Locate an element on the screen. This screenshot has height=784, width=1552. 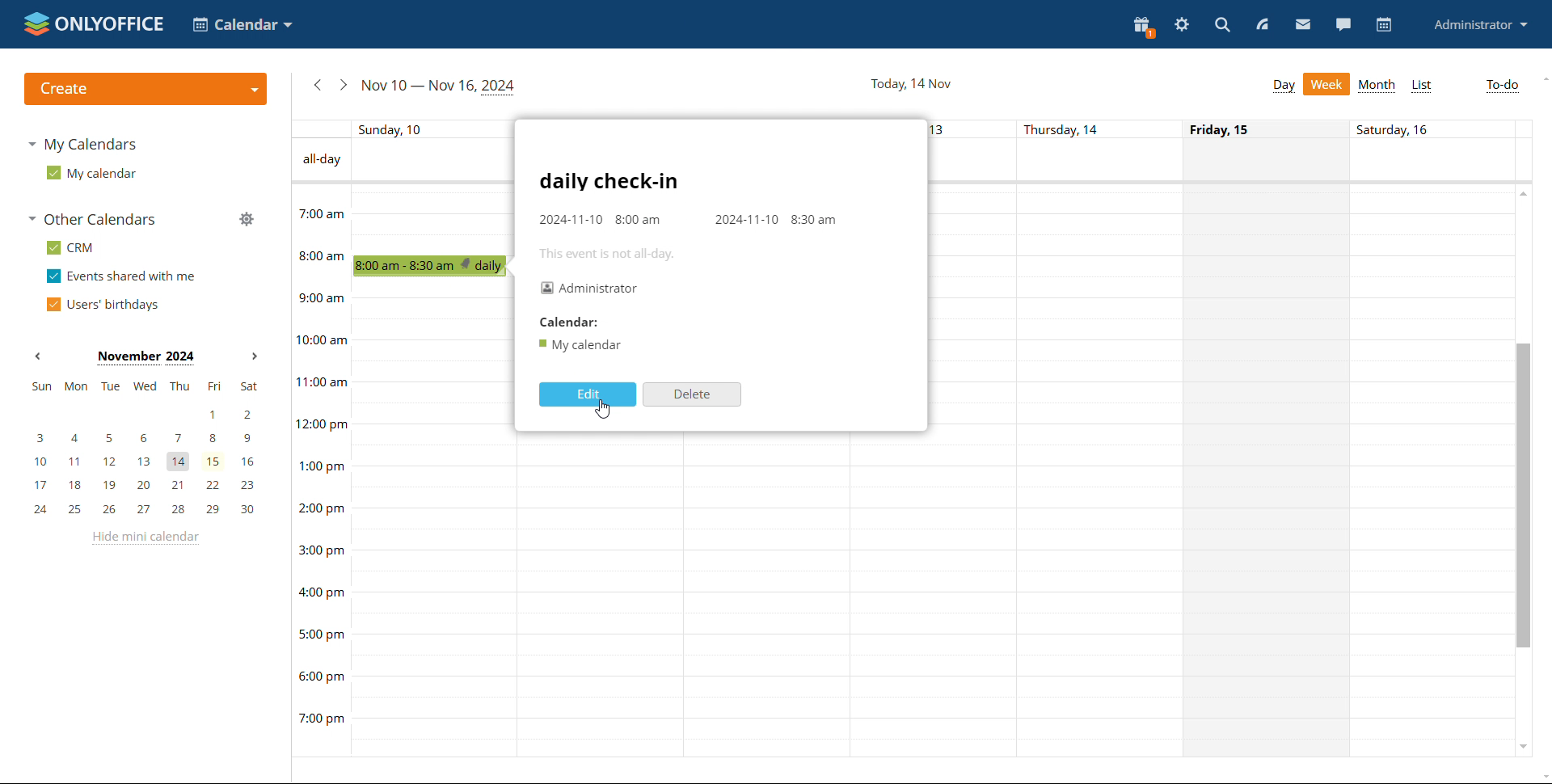
week view is located at coordinates (1327, 84).